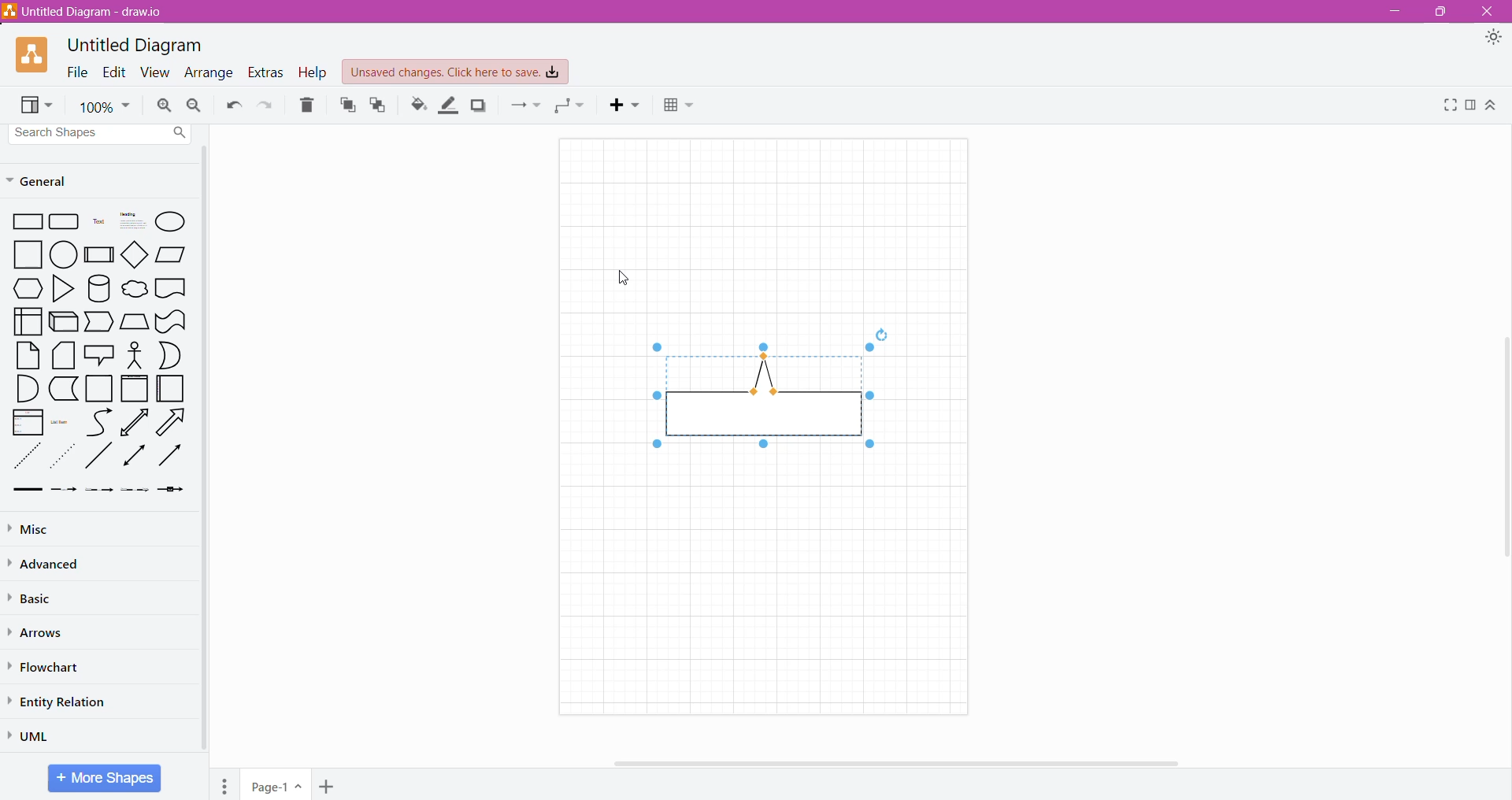  What do you see at coordinates (752, 399) in the screenshot?
I see `Shape Flipped vertically` at bounding box center [752, 399].